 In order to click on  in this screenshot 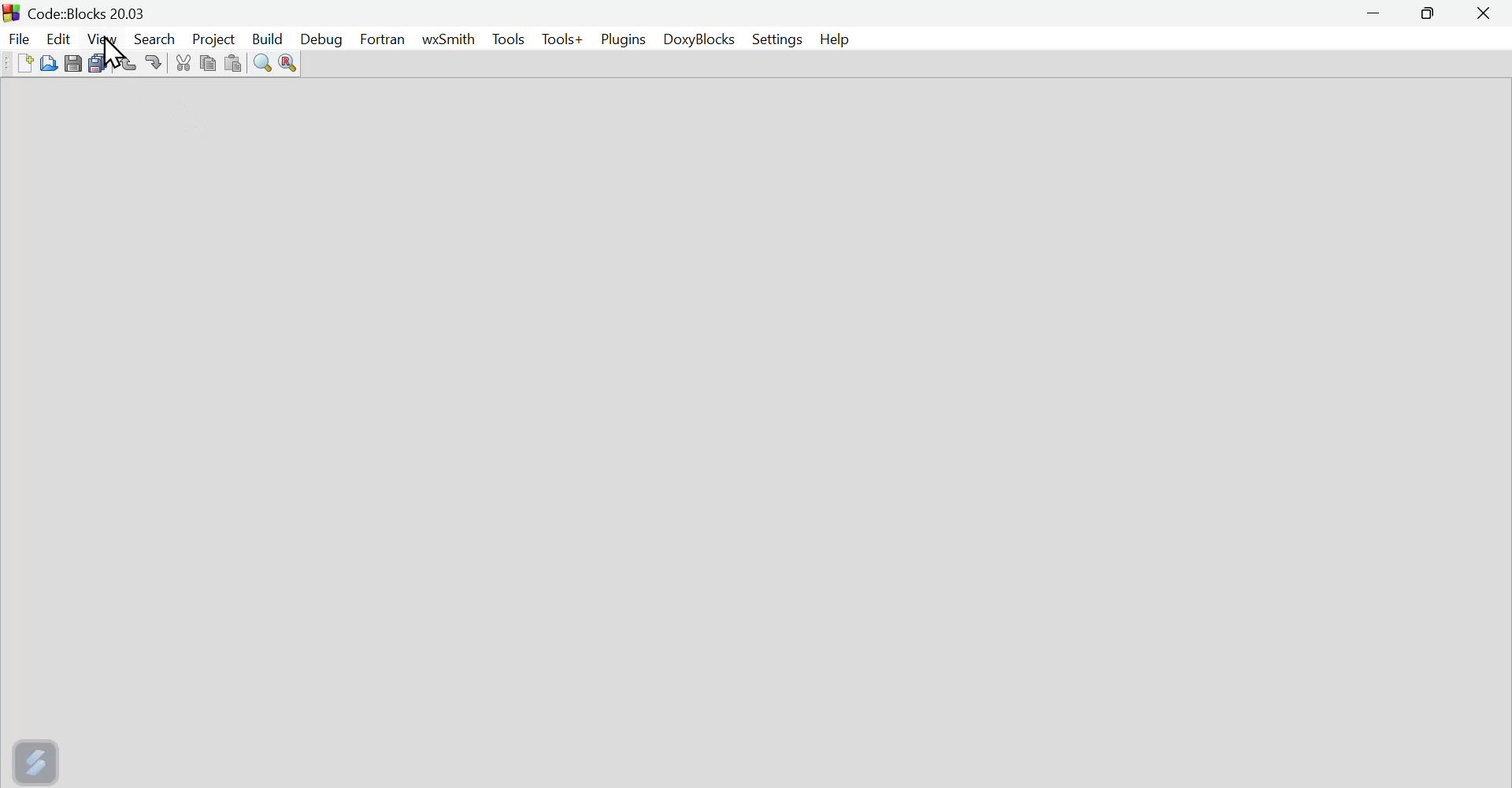, I will do `click(184, 62)`.